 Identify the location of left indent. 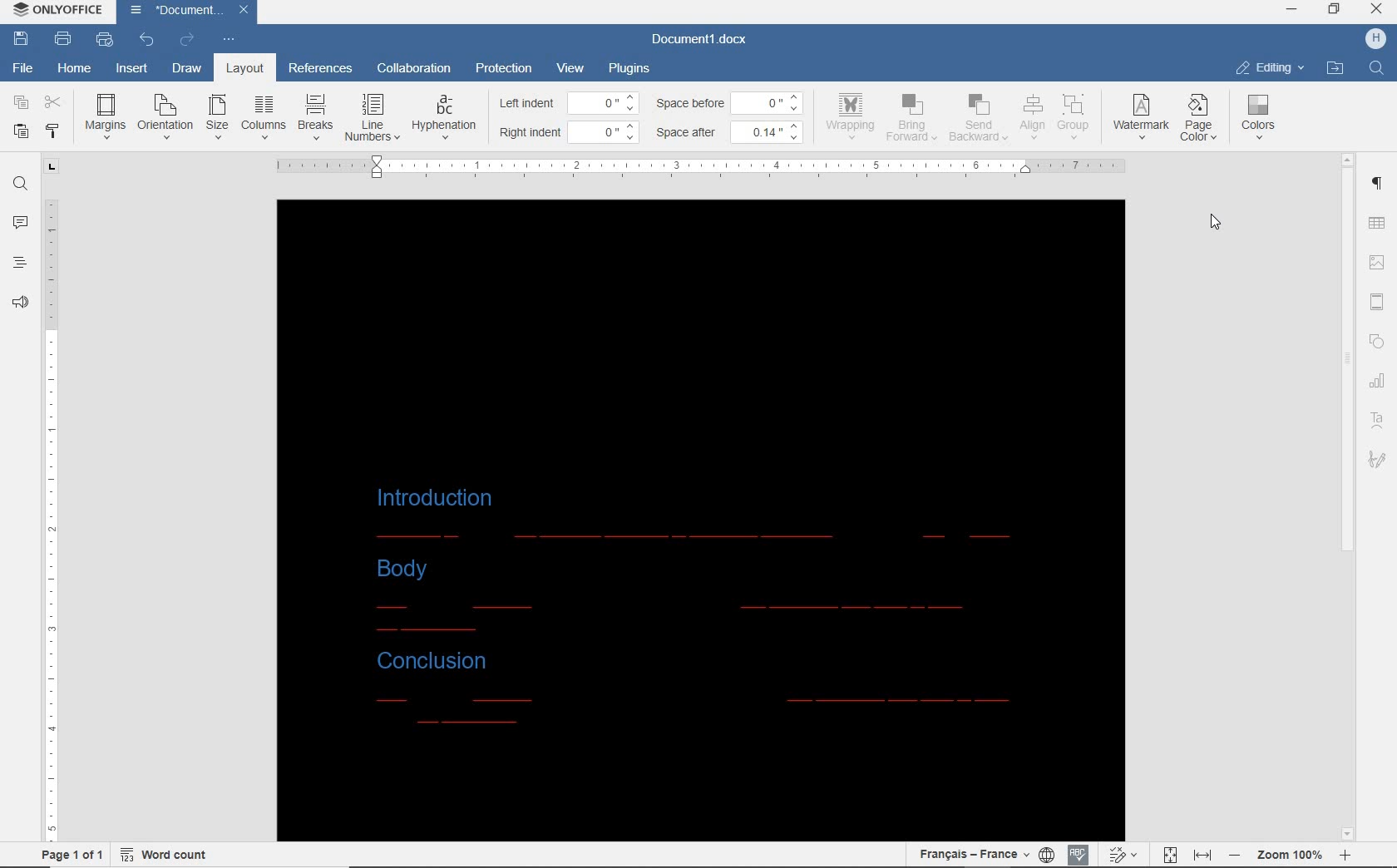
(526, 104).